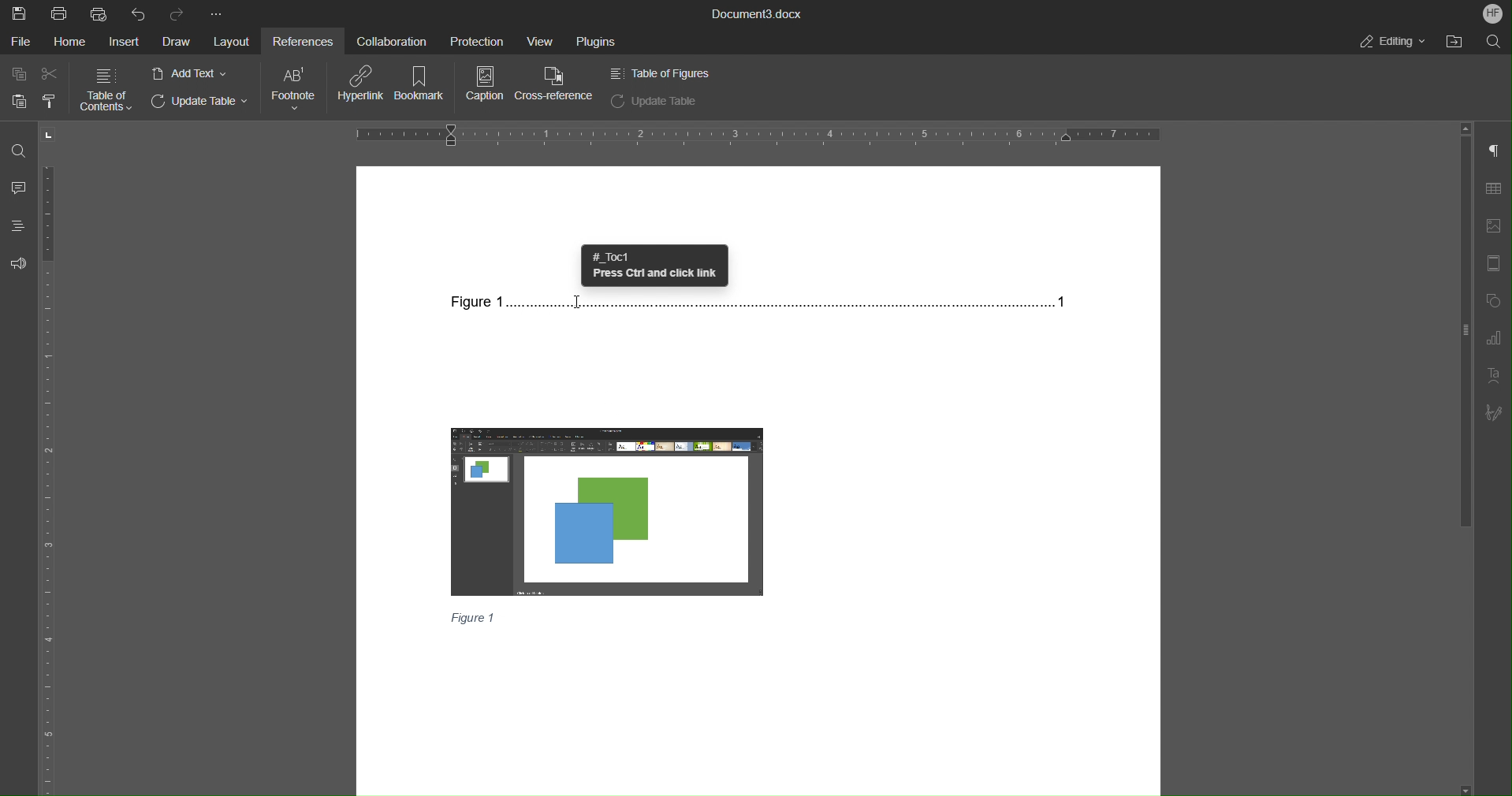 The image size is (1512, 796). Describe the element at coordinates (50, 74) in the screenshot. I see `Cut` at that location.